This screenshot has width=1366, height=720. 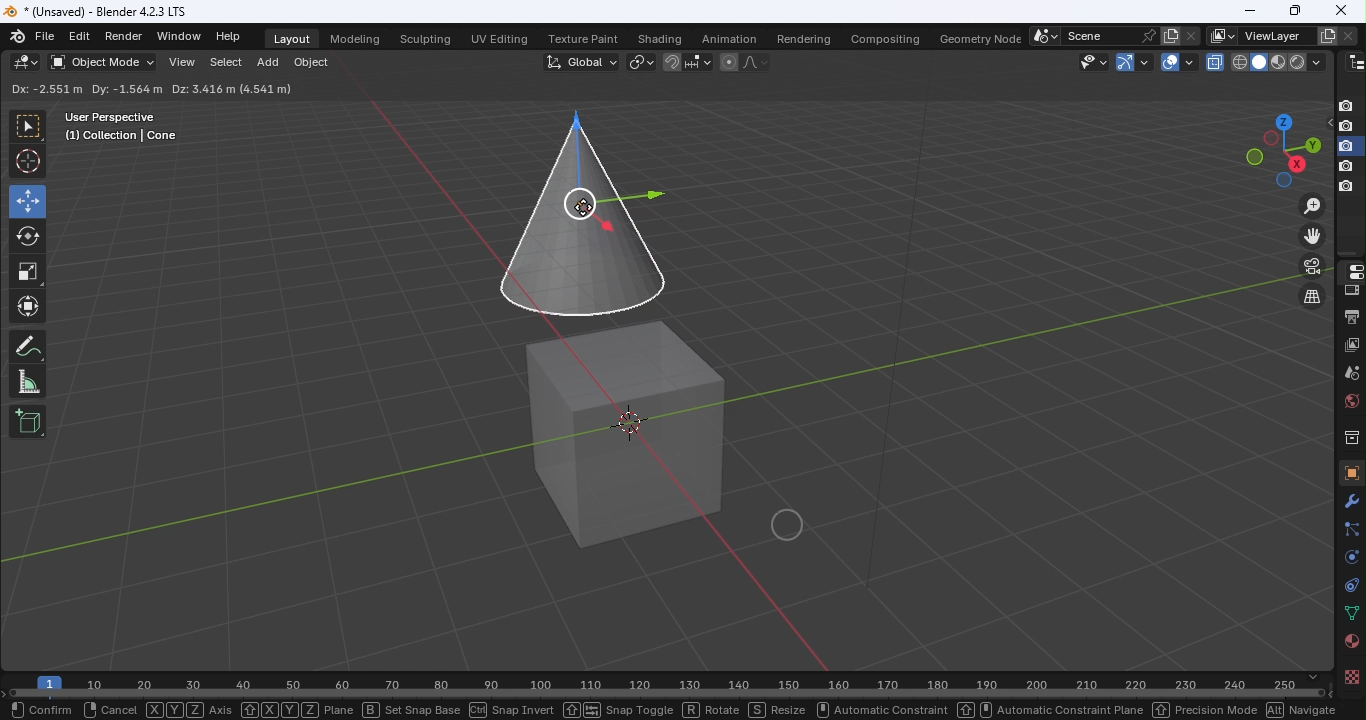 I want to click on Selectability and visibility, so click(x=1095, y=61).